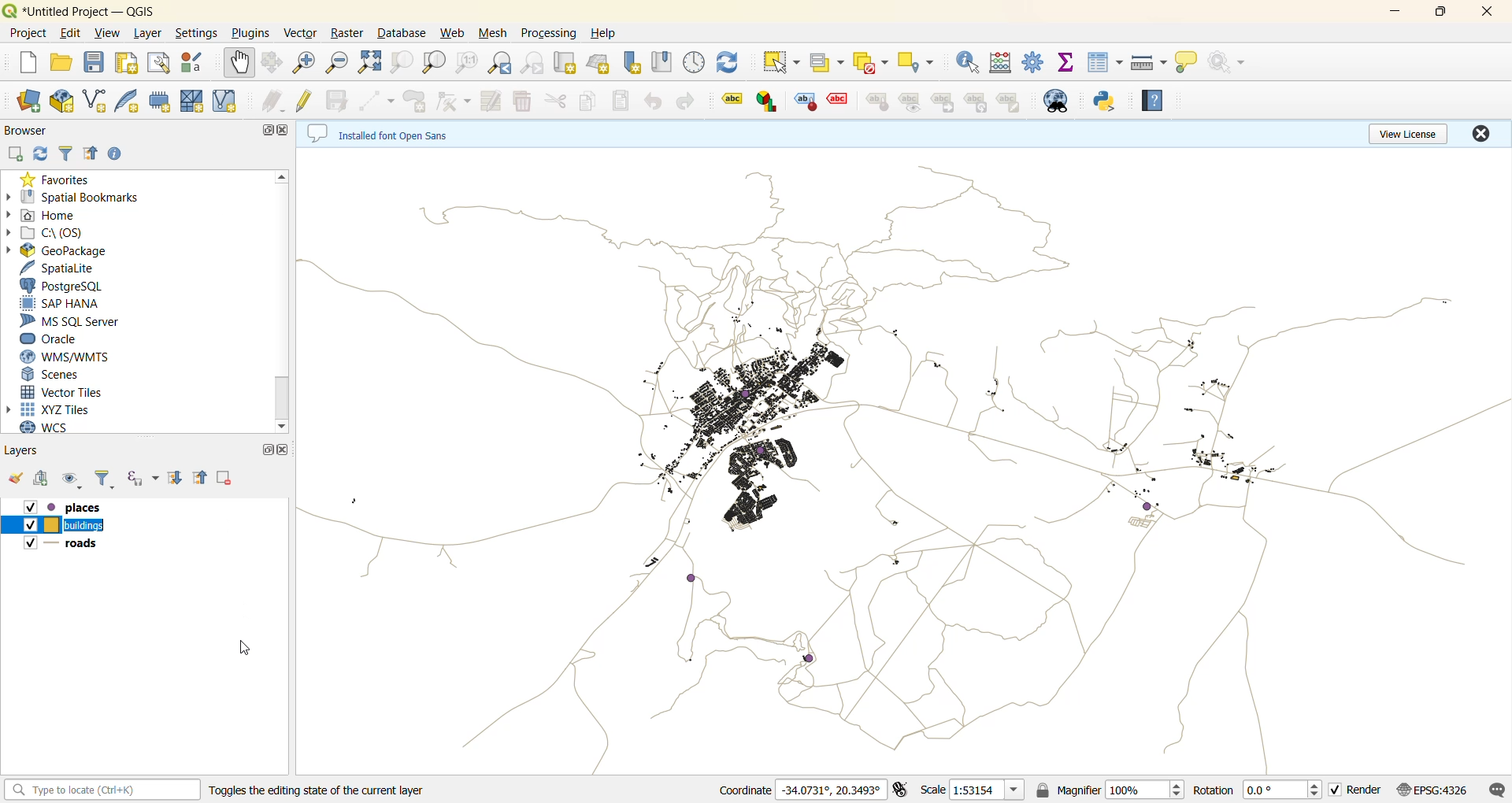  I want to click on pan map, so click(239, 65).